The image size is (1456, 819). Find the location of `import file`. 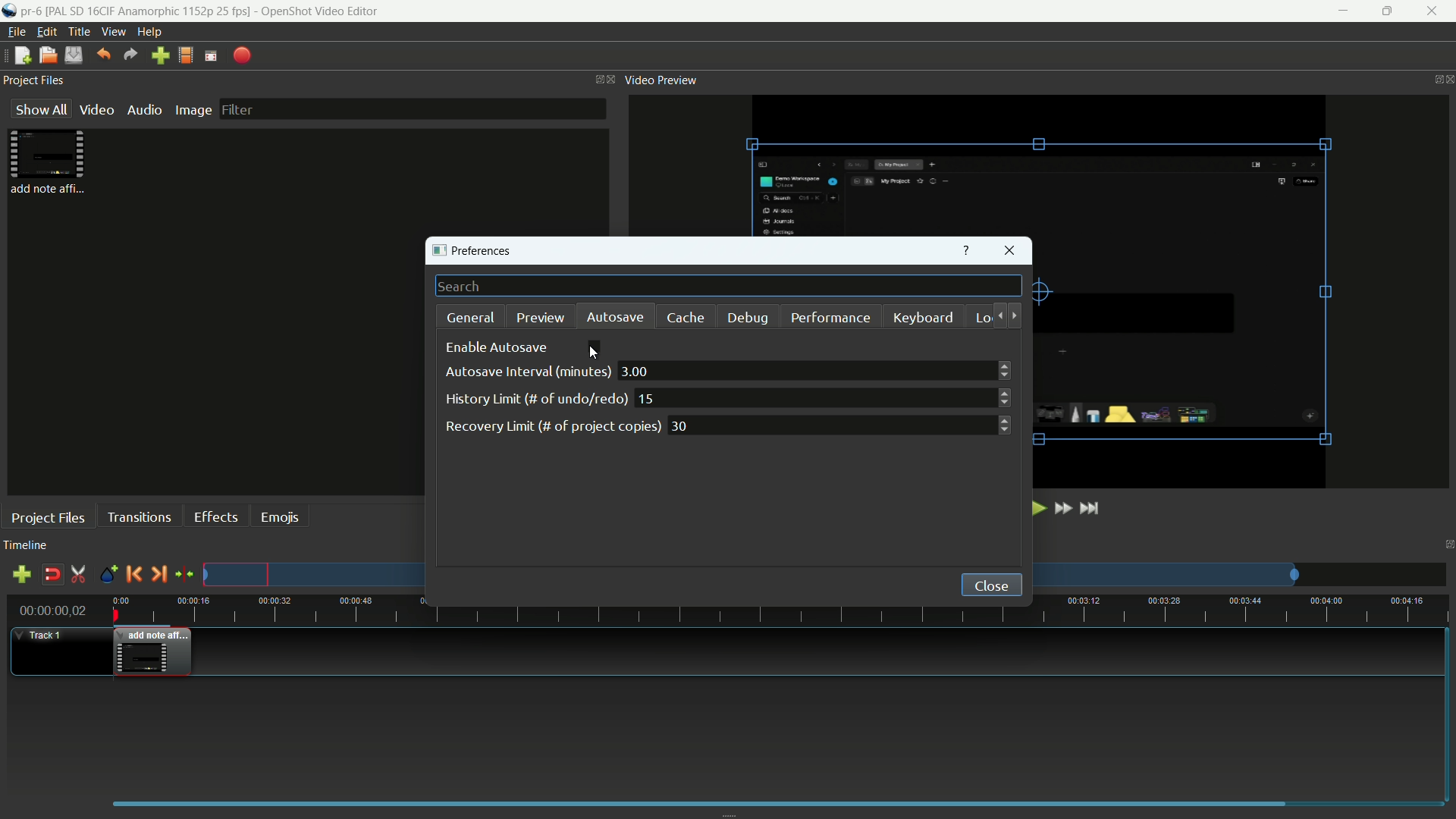

import file is located at coordinates (159, 55).